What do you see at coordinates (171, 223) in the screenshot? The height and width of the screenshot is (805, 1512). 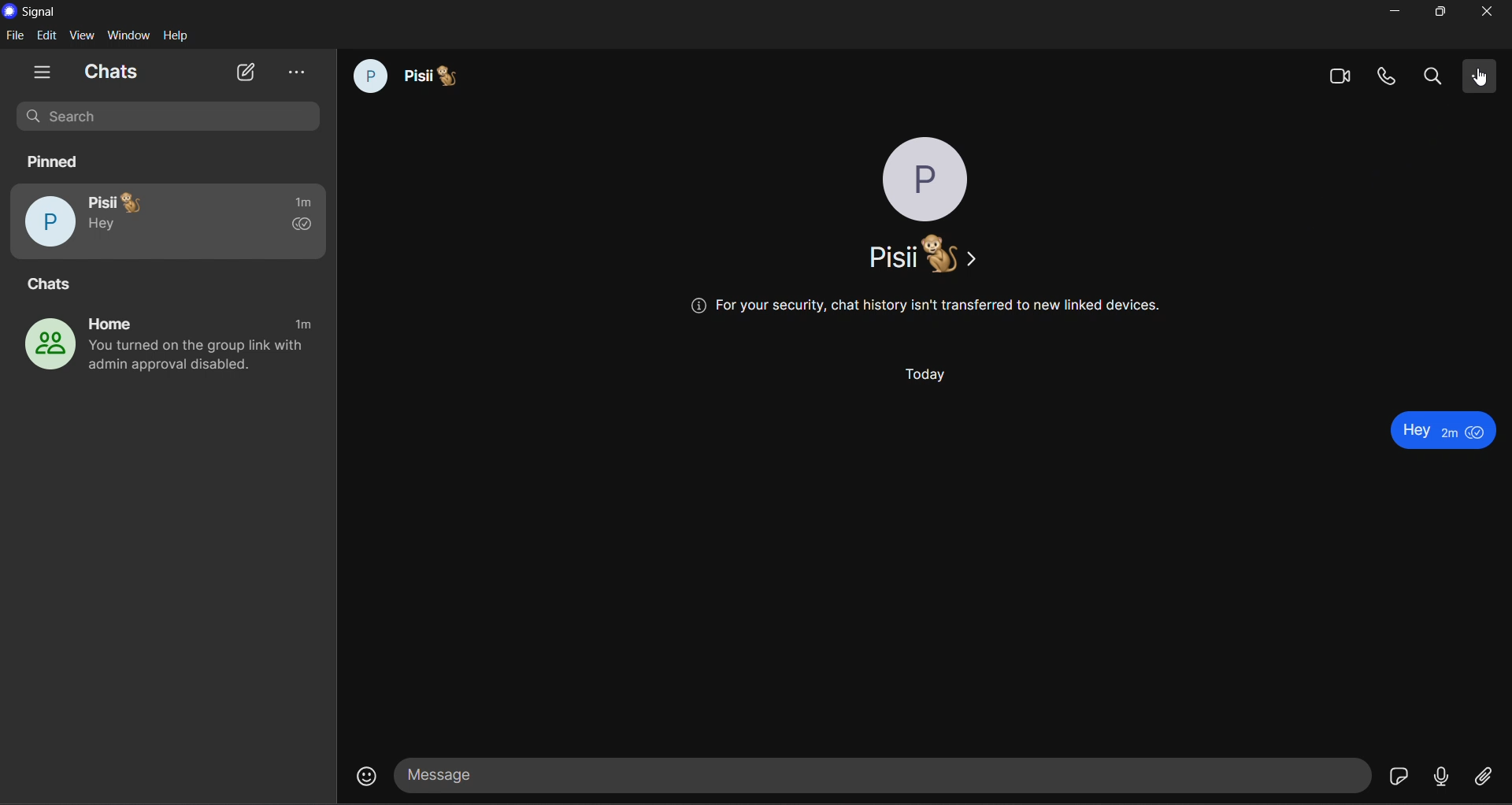 I see `pisii pinned chat` at bounding box center [171, 223].